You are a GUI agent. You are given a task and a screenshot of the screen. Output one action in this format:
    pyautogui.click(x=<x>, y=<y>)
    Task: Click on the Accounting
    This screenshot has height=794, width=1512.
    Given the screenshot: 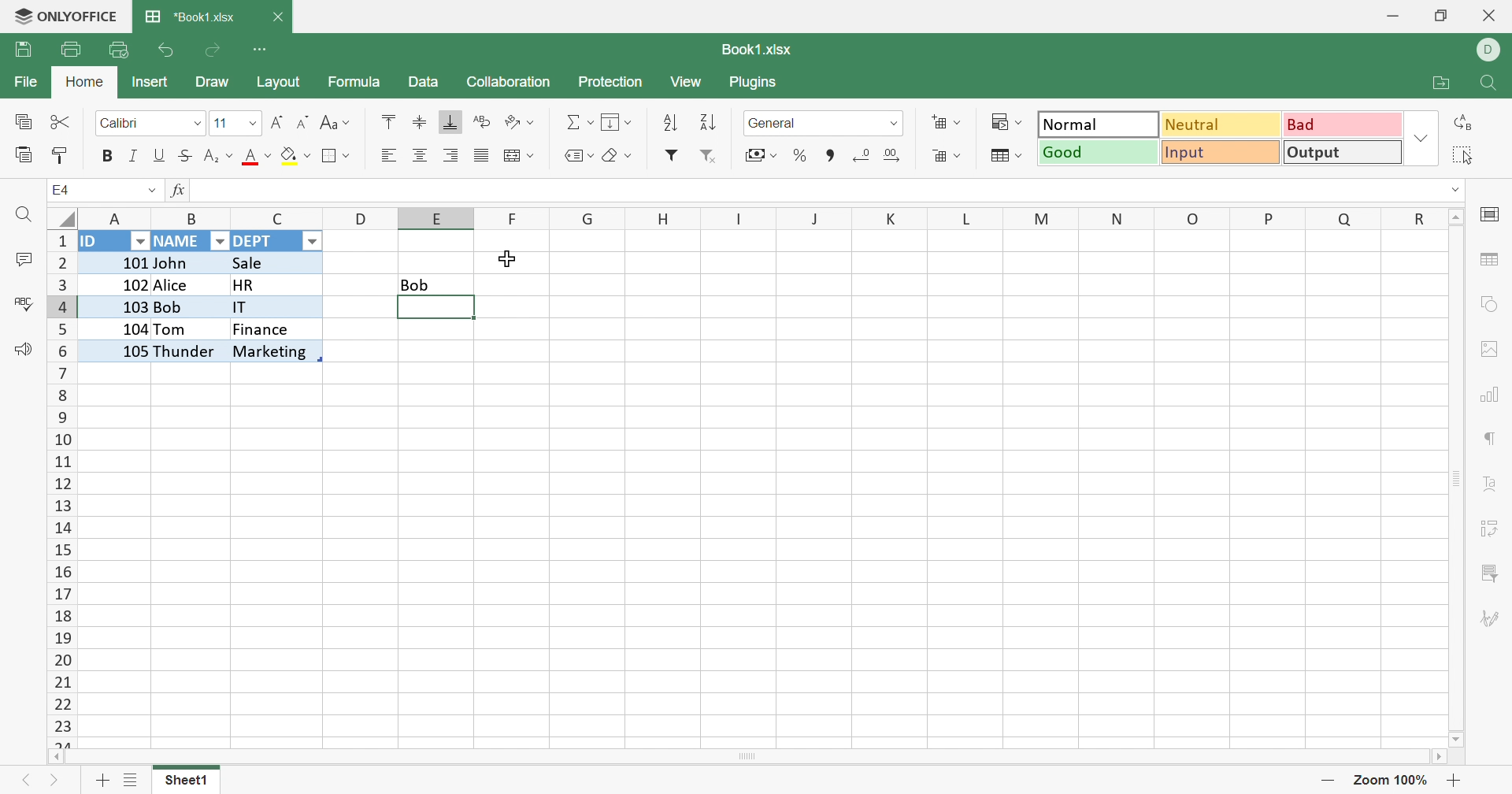 What is the action you would take?
    pyautogui.click(x=759, y=155)
    